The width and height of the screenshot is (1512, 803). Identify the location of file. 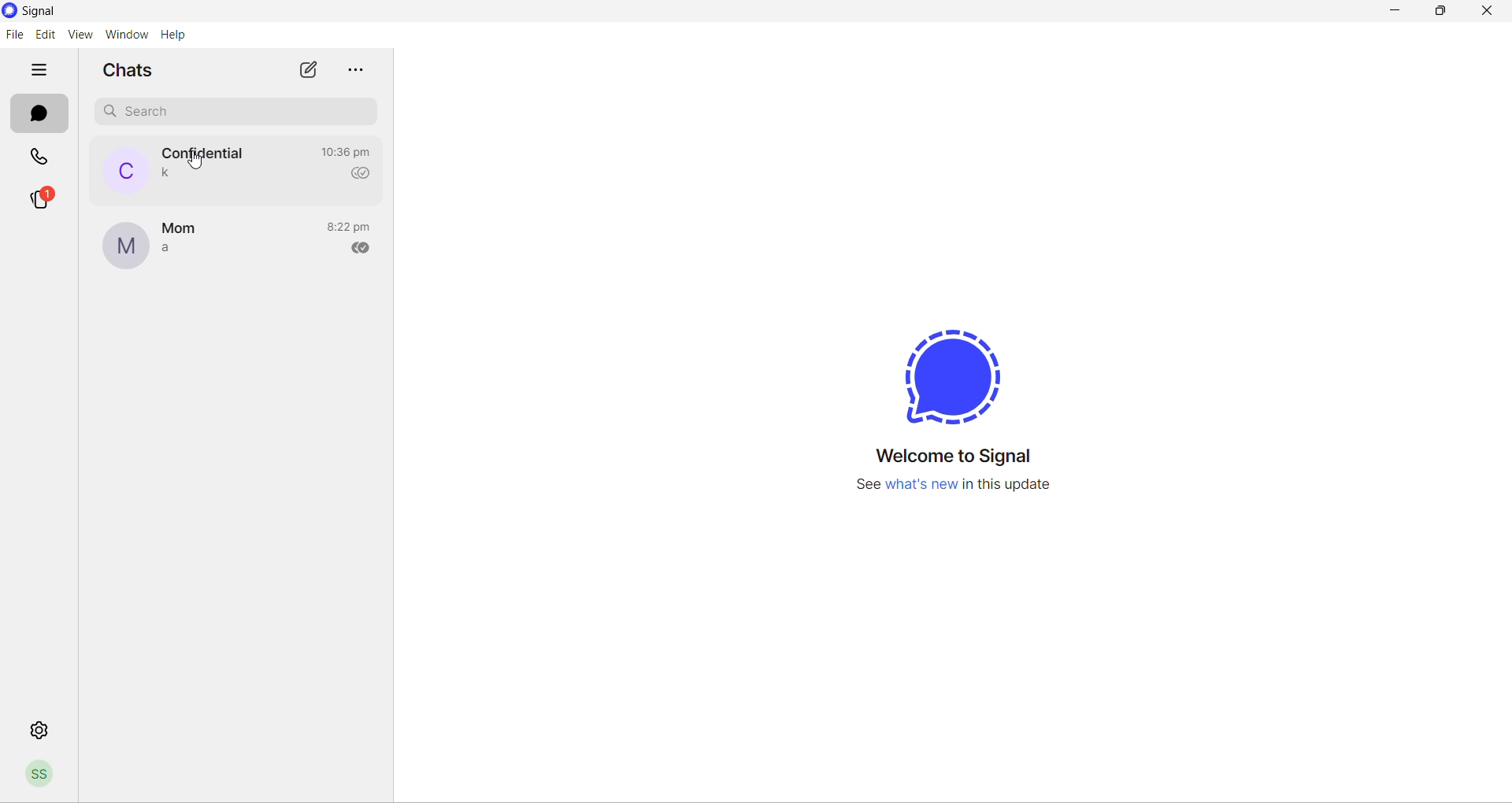
(14, 35).